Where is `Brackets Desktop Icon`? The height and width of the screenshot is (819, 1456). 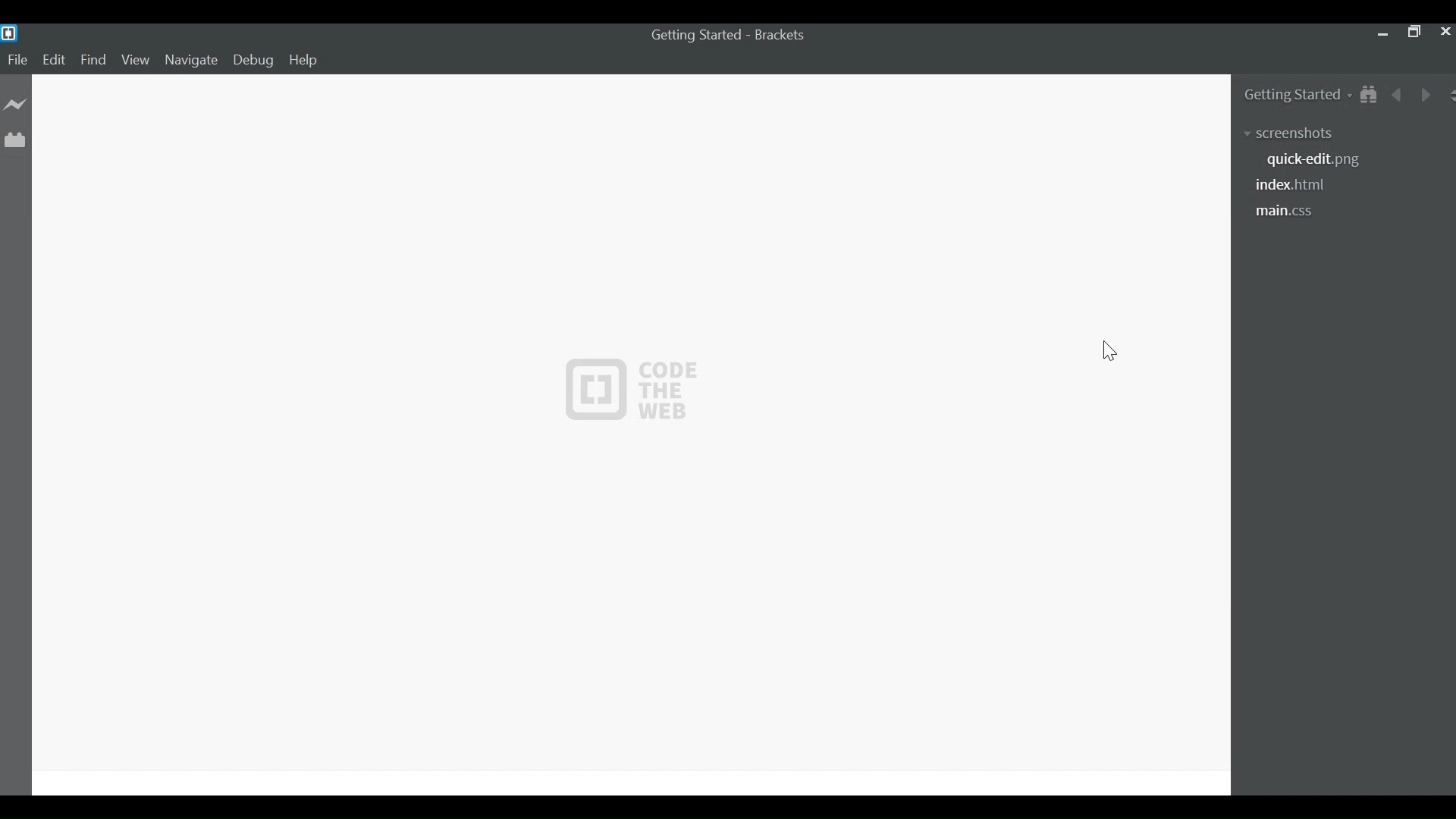
Brackets Desktop Icon is located at coordinates (9, 33).